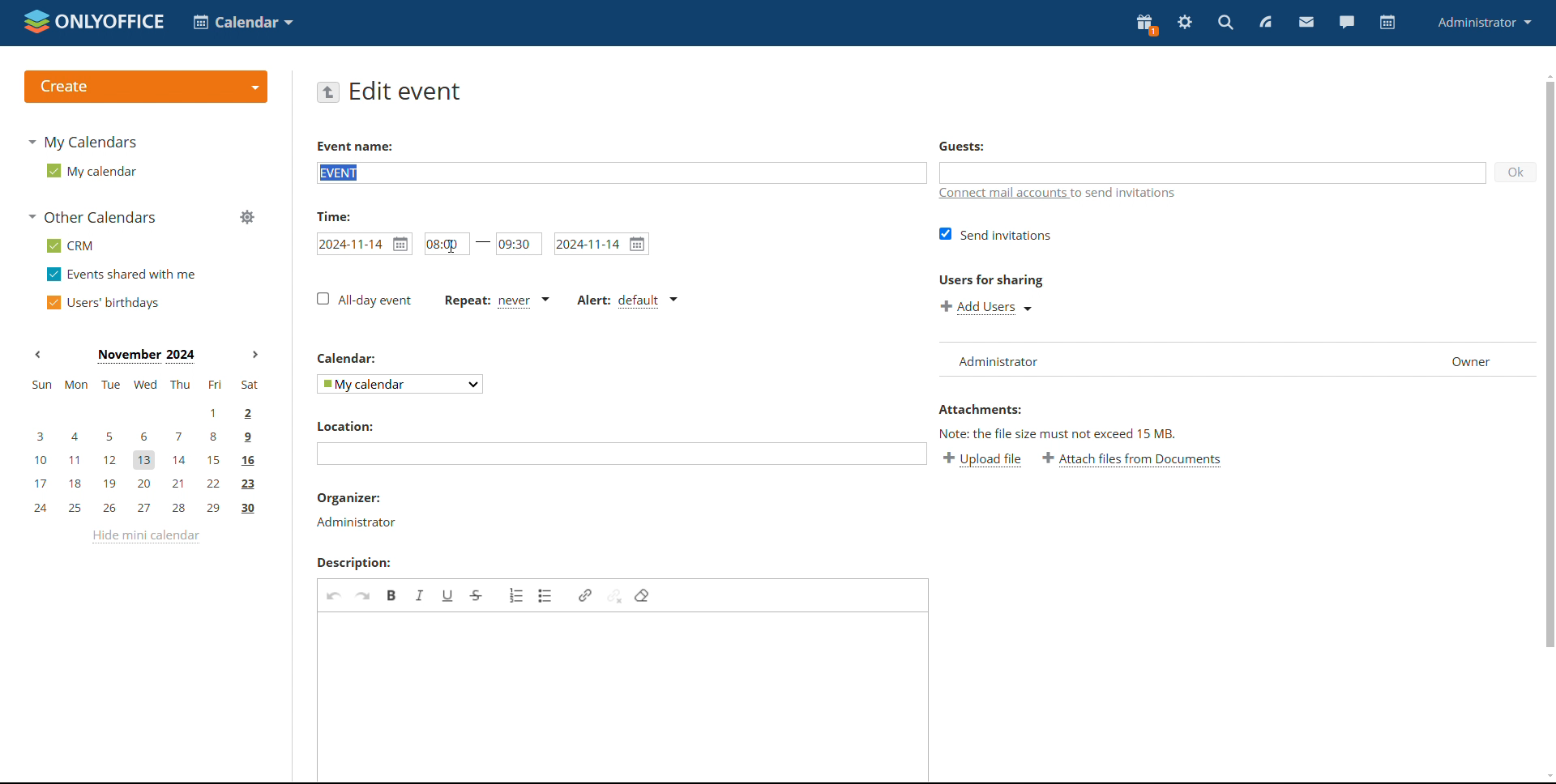  Describe the element at coordinates (454, 248) in the screenshot. I see `cursor` at that location.